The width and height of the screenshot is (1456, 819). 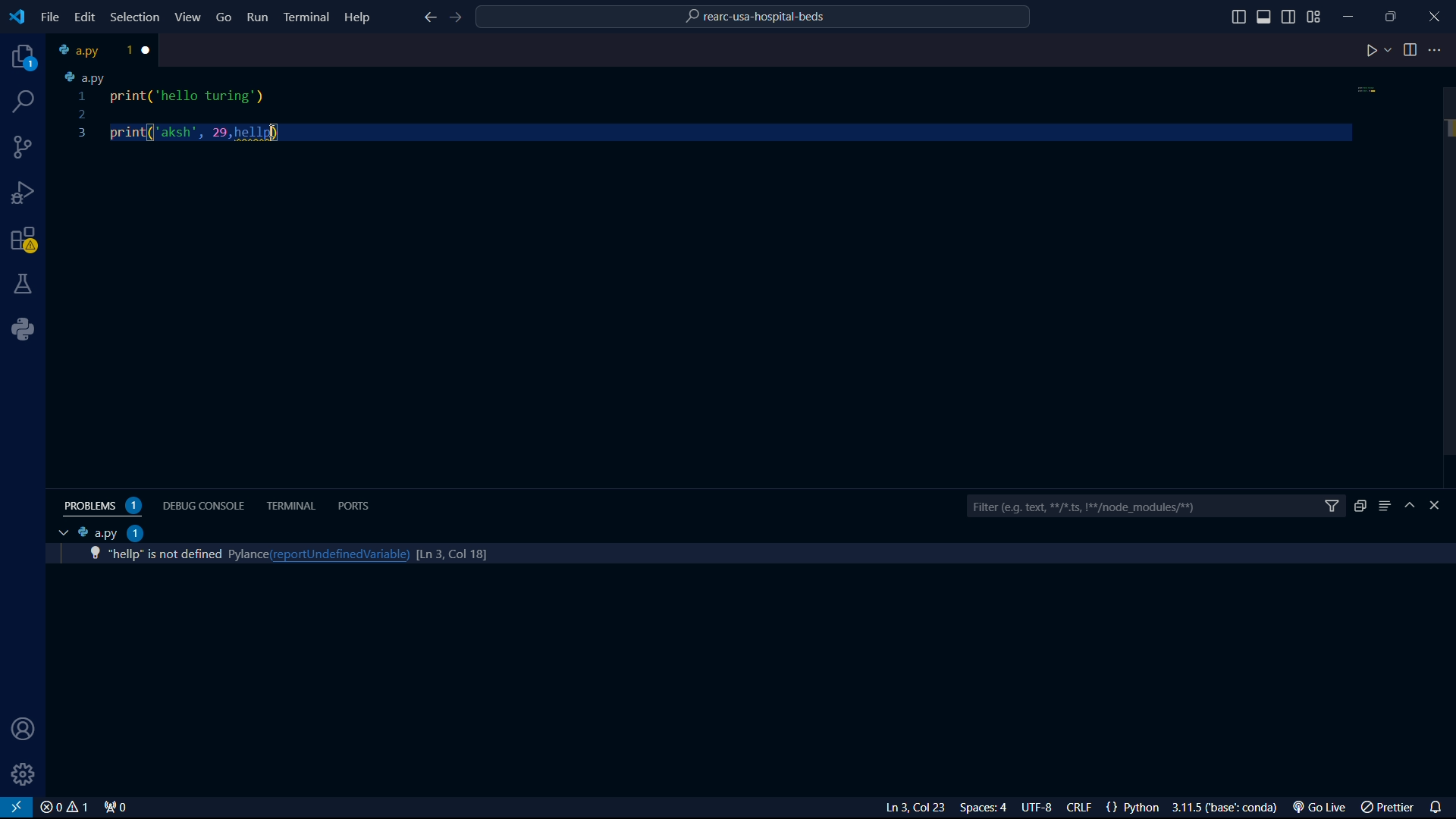 I want to click on debug console, so click(x=206, y=504).